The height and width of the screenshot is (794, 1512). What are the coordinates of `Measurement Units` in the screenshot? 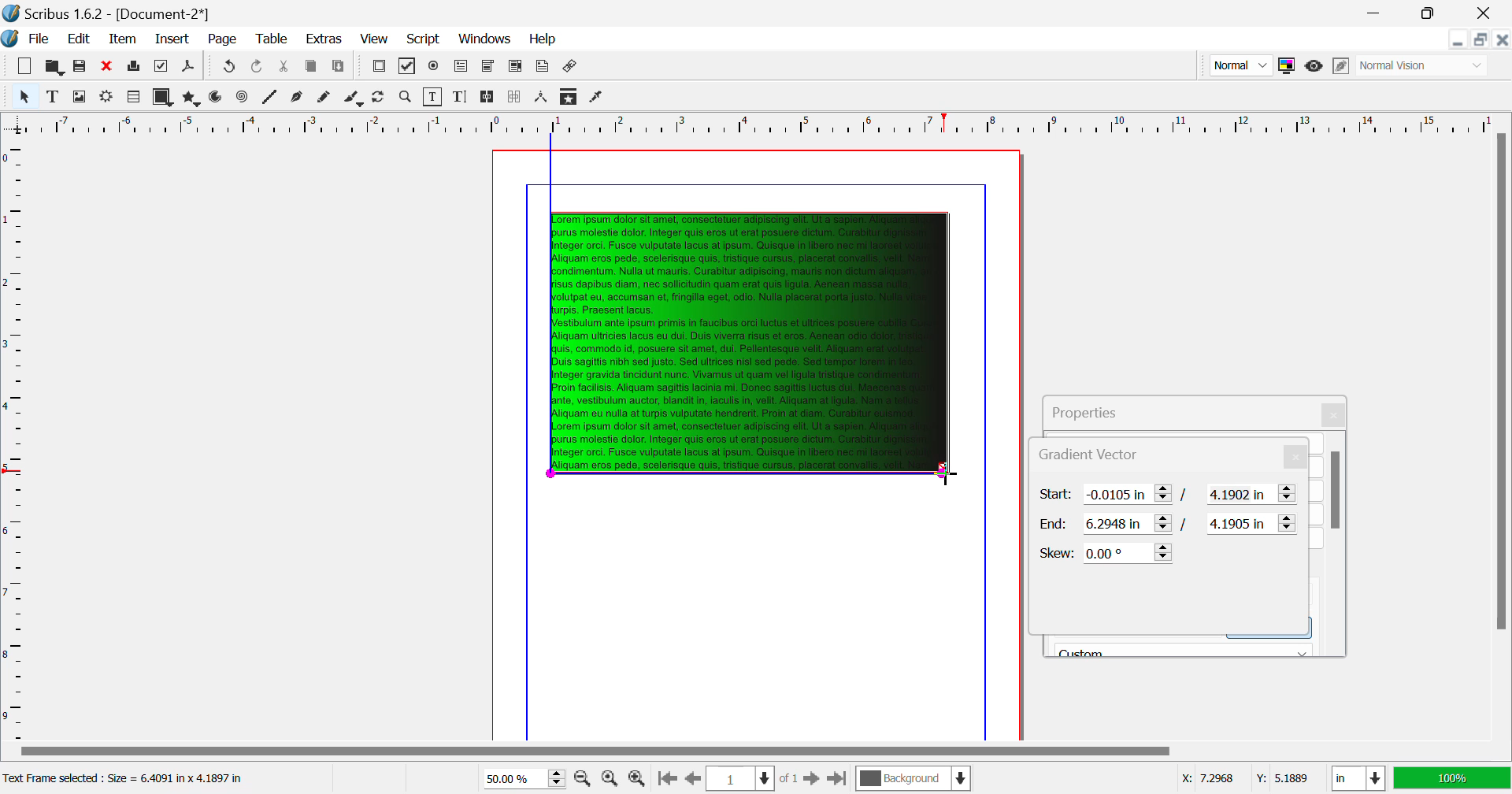 It's located at (1359, 780).